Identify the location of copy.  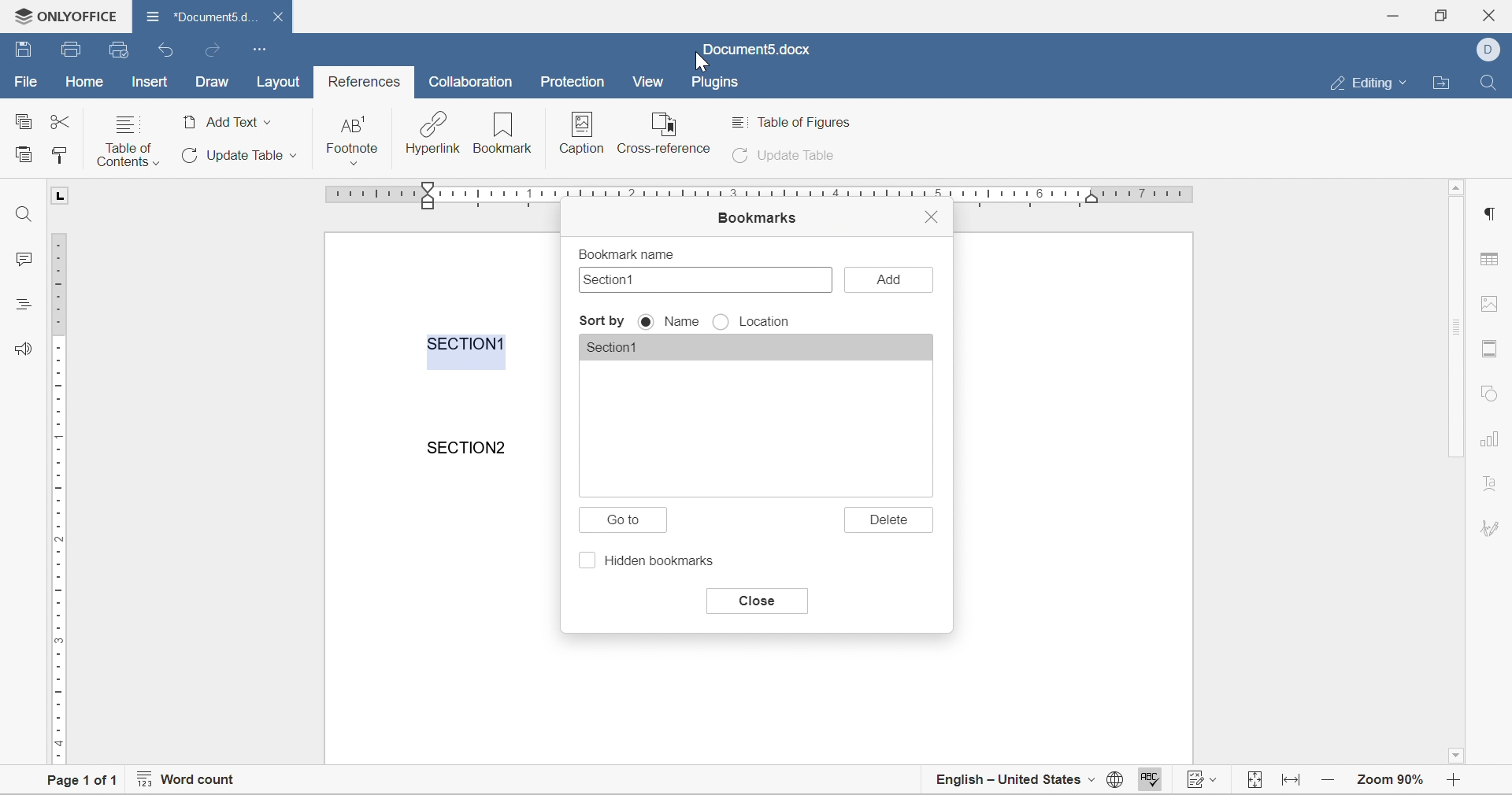
(22, 120).